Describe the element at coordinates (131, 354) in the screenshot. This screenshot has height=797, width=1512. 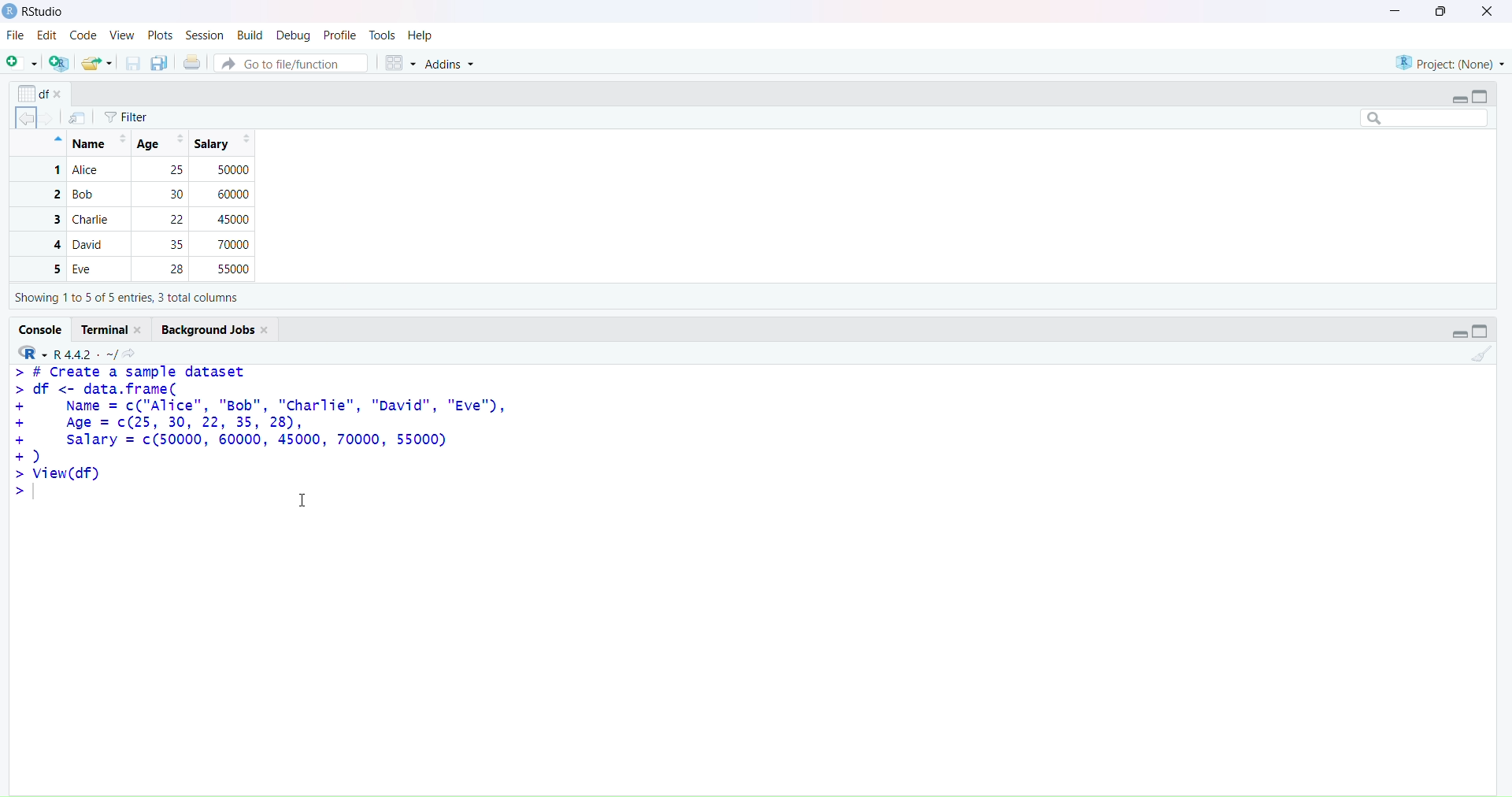
I see `view the current working directory` at that location.